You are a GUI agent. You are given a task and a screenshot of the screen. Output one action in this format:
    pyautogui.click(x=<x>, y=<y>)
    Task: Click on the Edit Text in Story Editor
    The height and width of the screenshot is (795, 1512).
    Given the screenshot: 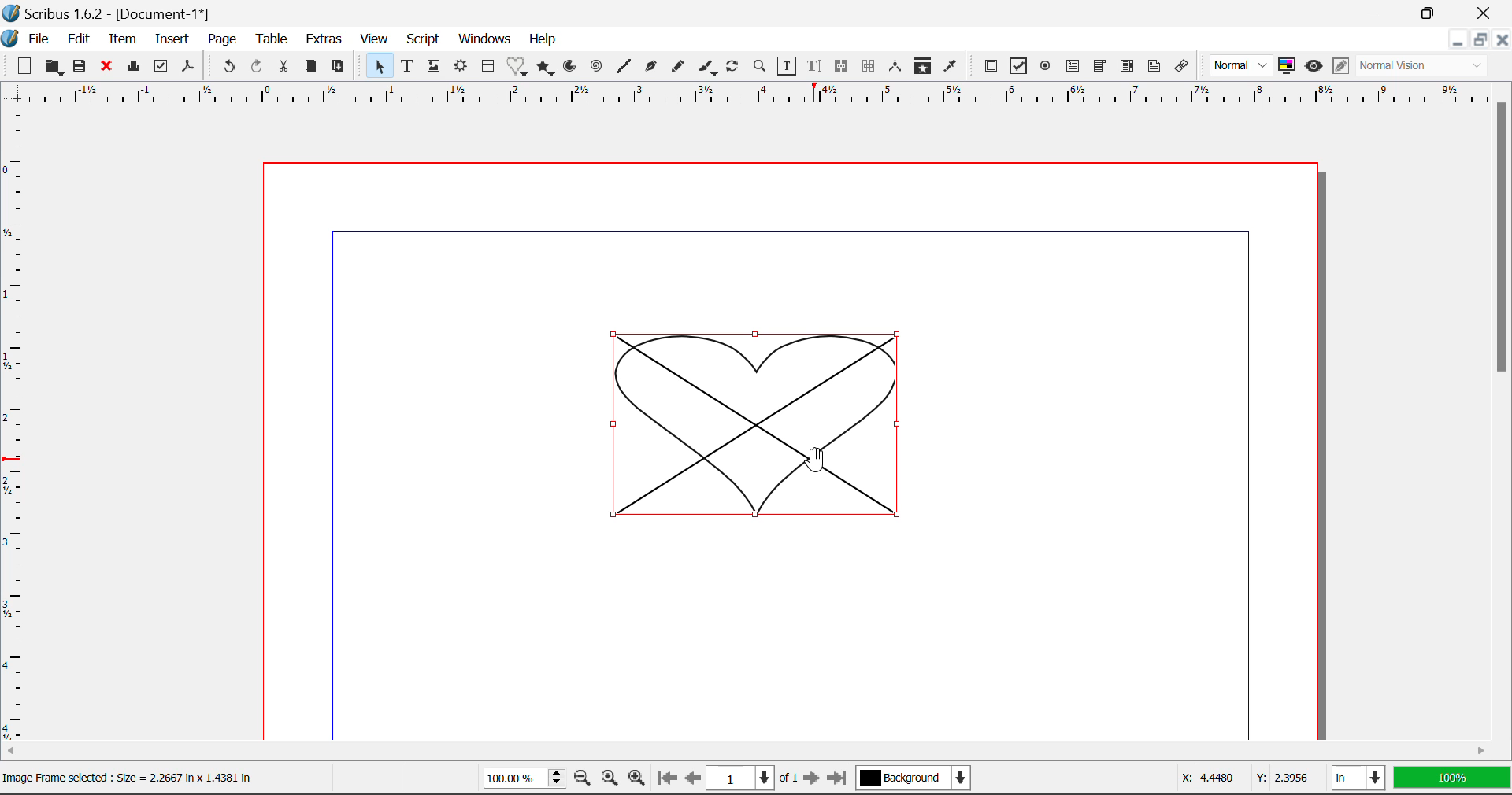 What is the action you would take?
    pyautogui.click(x=814, y=68)
    